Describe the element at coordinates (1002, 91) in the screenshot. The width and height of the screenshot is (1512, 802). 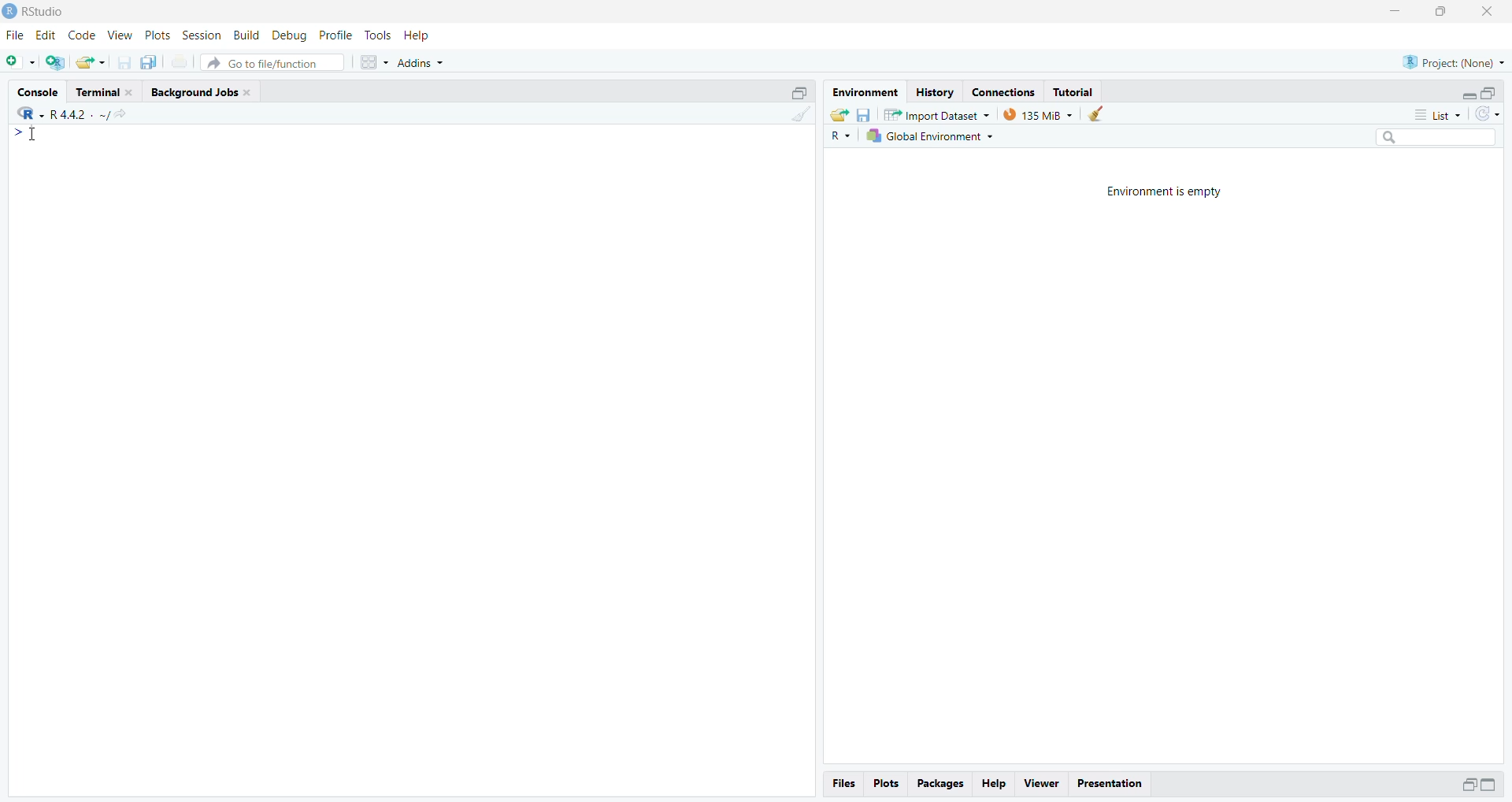
I see `Connections` at that location.